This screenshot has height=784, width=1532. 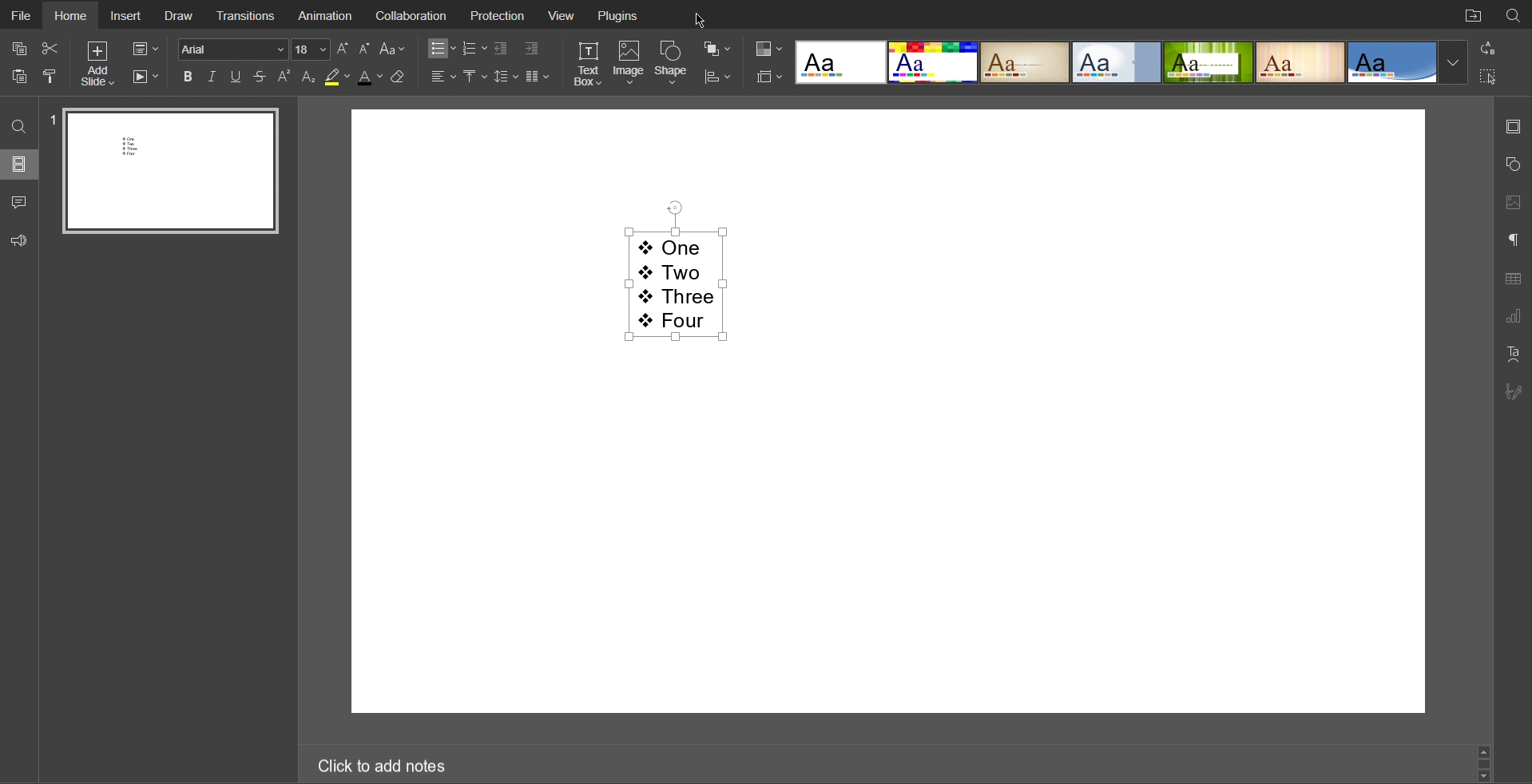 I want to click on Subscript, so click(x=309, y=77).